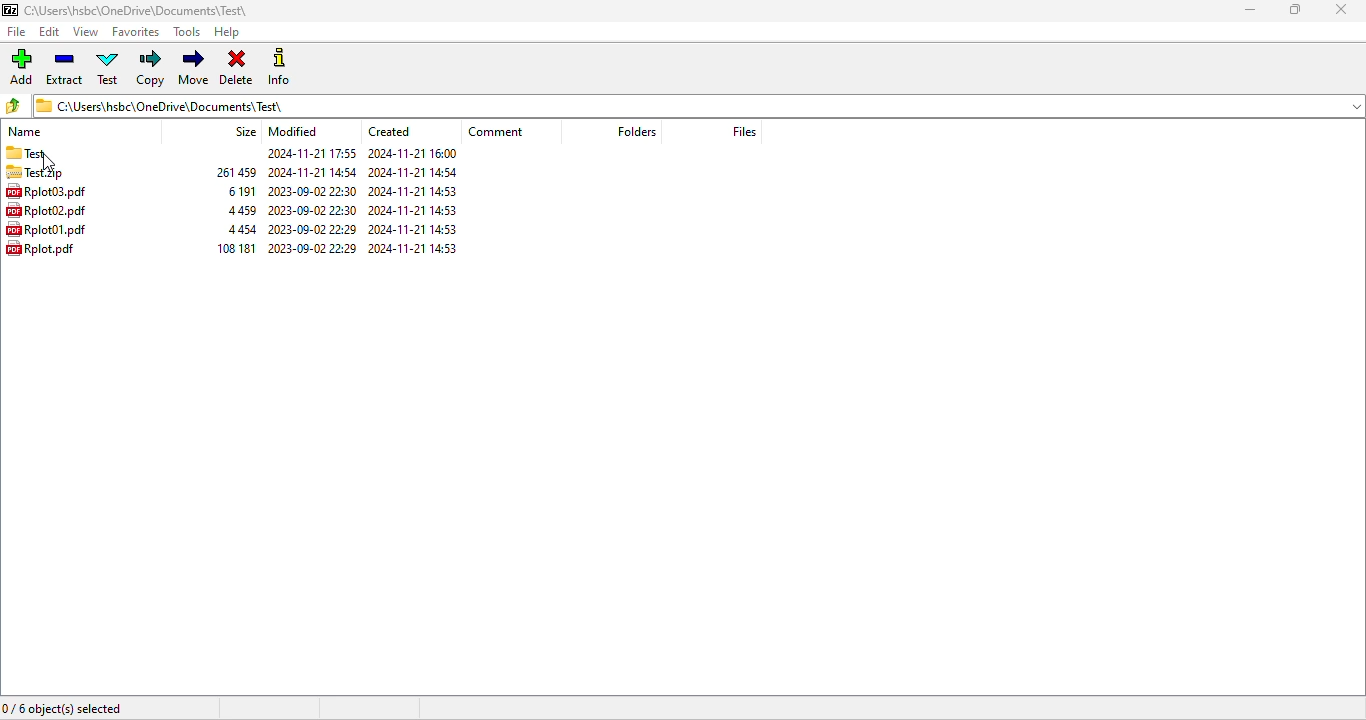 The height and width of the screenshot is (720, 1366). What do you see at coordinates (136, 31) in the screenshot?
I see `favorites` at bounding box center [136, 31].